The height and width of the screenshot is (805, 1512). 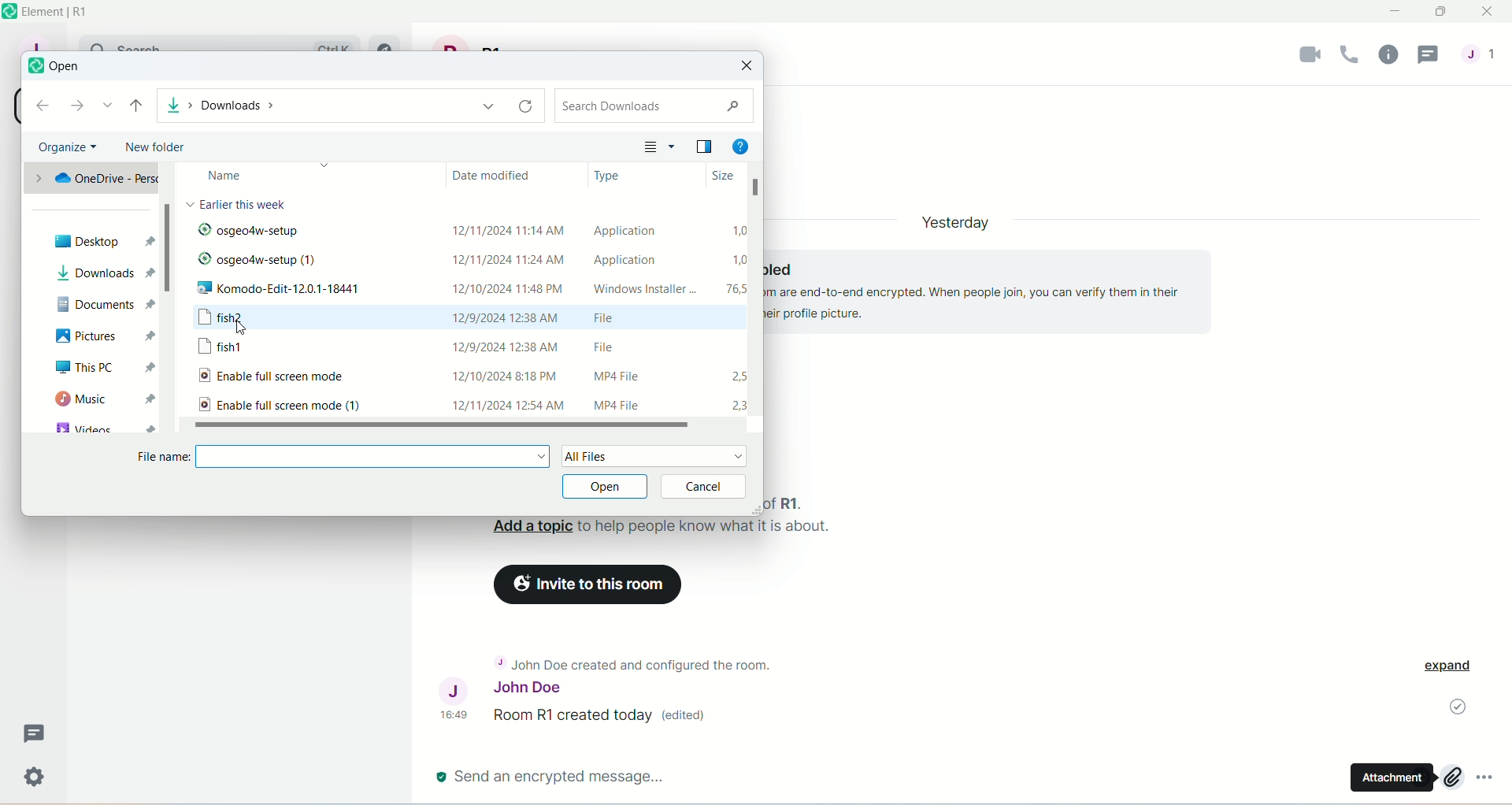 I want to click on search, so click(x=655, y=105).